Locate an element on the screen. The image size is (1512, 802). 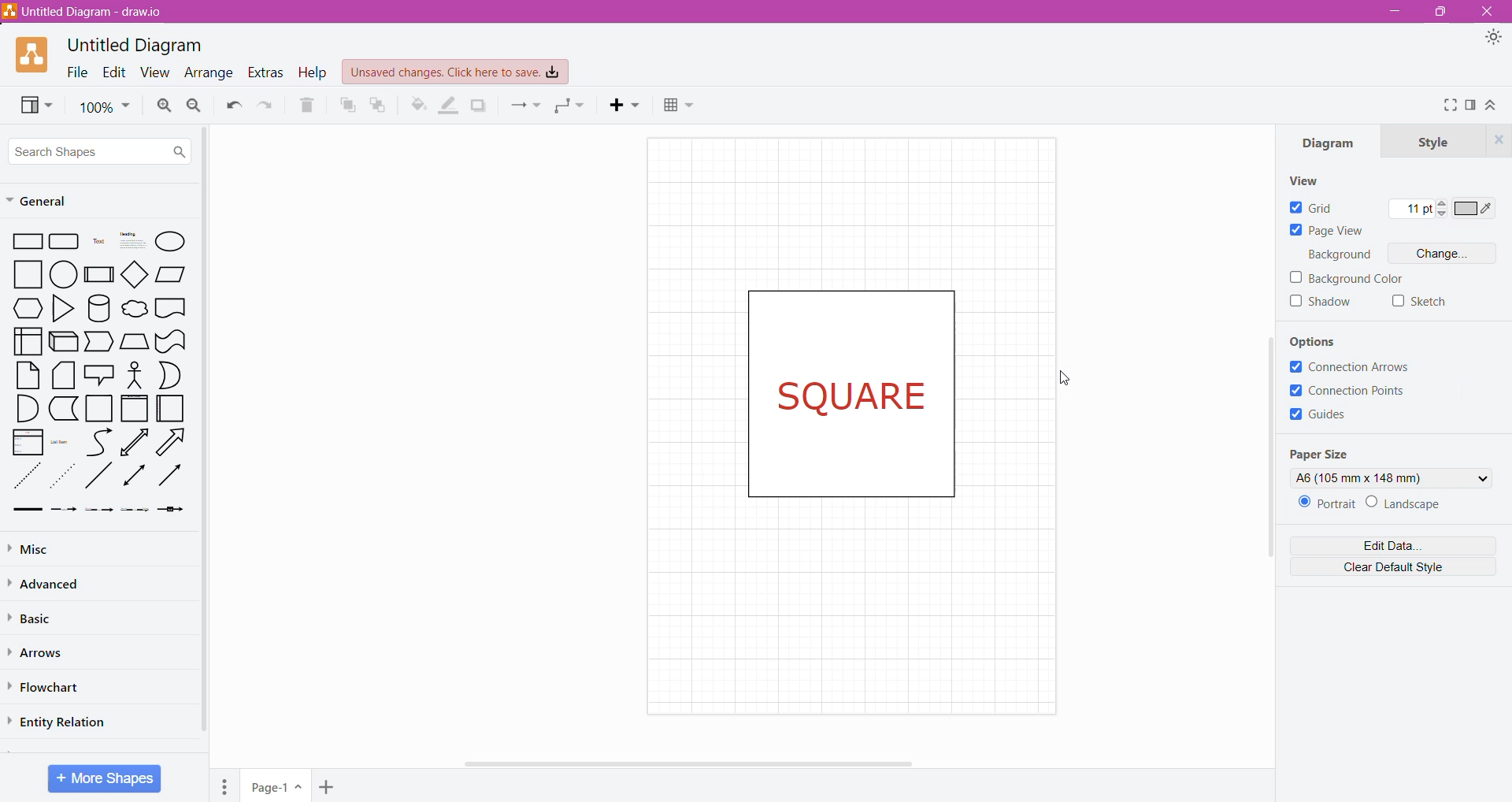
More Shapes is located at coordinates (106, 778).